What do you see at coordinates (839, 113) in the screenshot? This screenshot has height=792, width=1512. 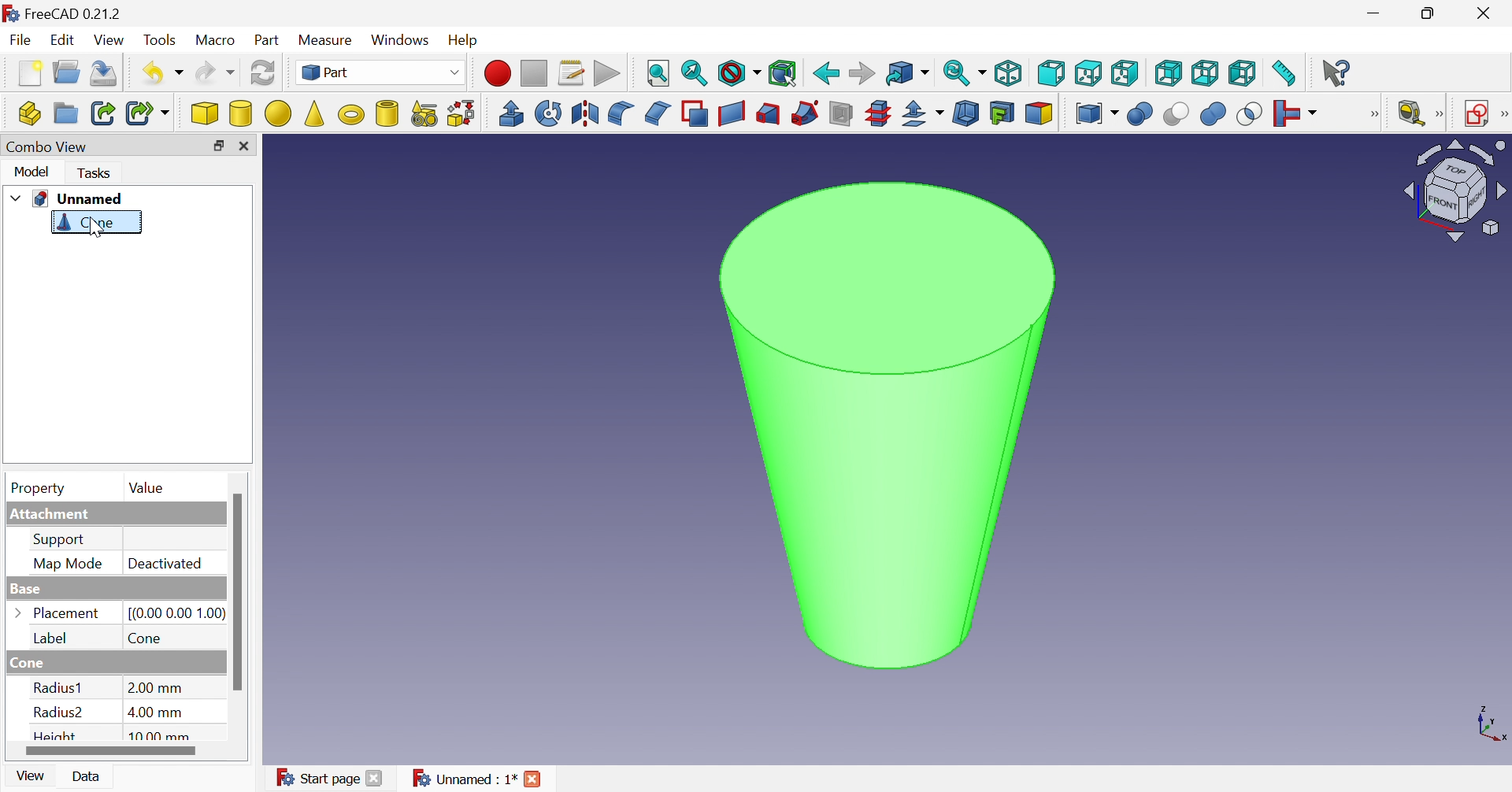 I see `Section` at bounding box center [839, 113].